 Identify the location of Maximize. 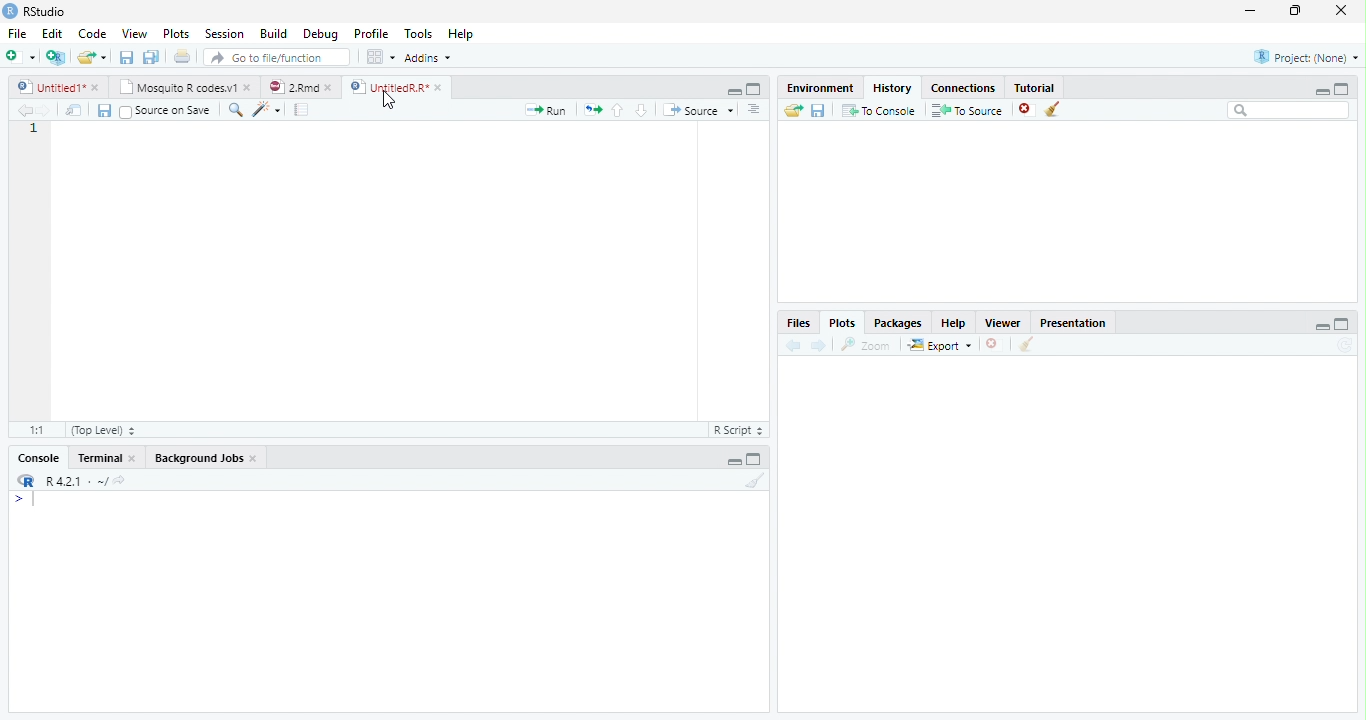
(756, 460).